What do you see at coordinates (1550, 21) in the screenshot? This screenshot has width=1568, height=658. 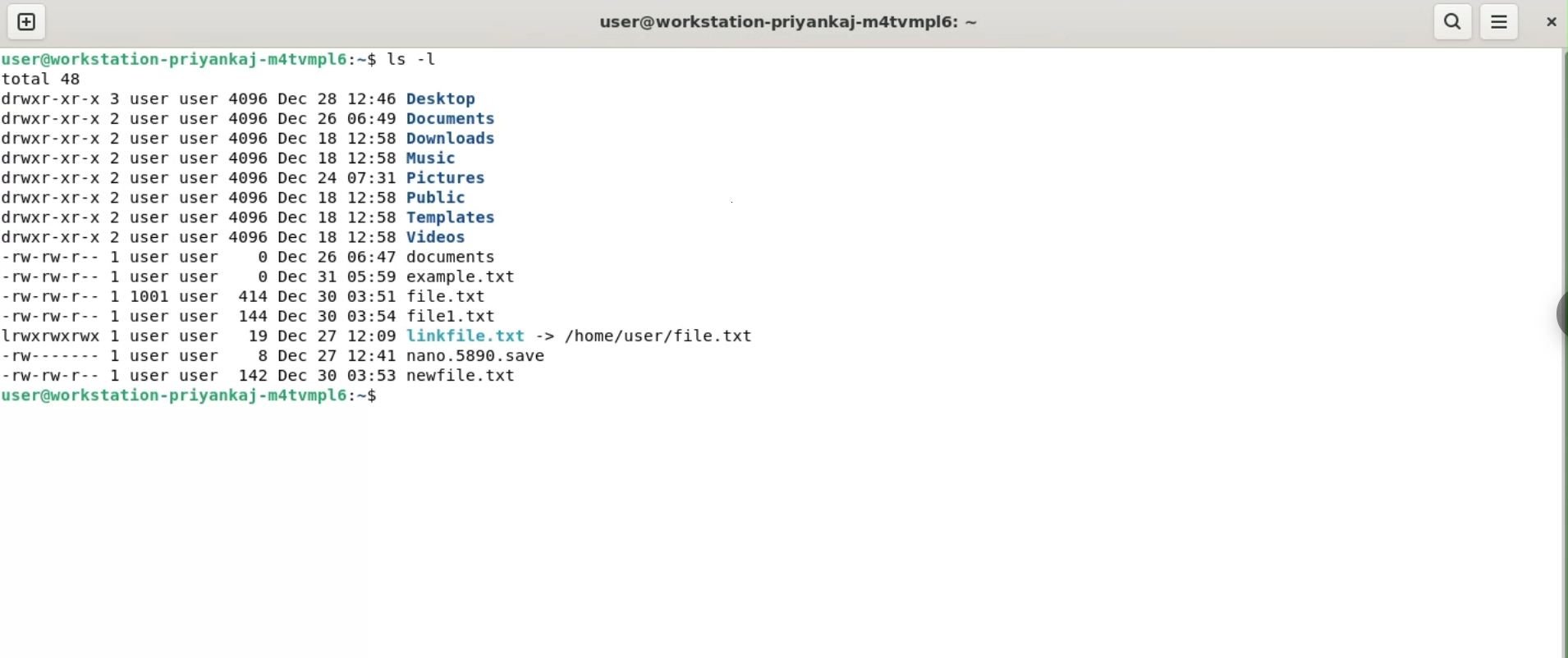 I see `close` at bounding box center [1550, 21].